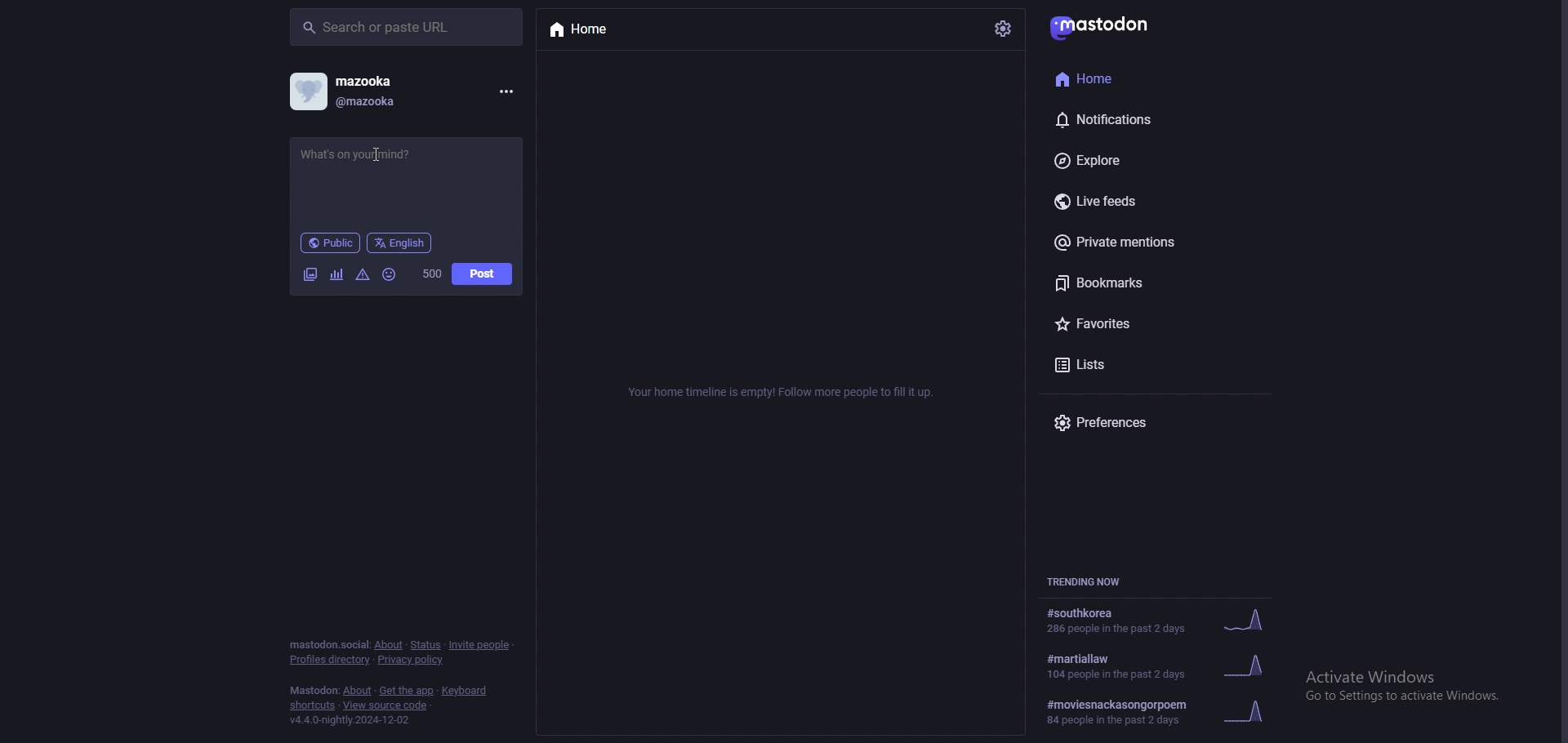  What do you see at coordinates (357, 691) in the screenshot?
I see `about` at bounding box center [357, 691].